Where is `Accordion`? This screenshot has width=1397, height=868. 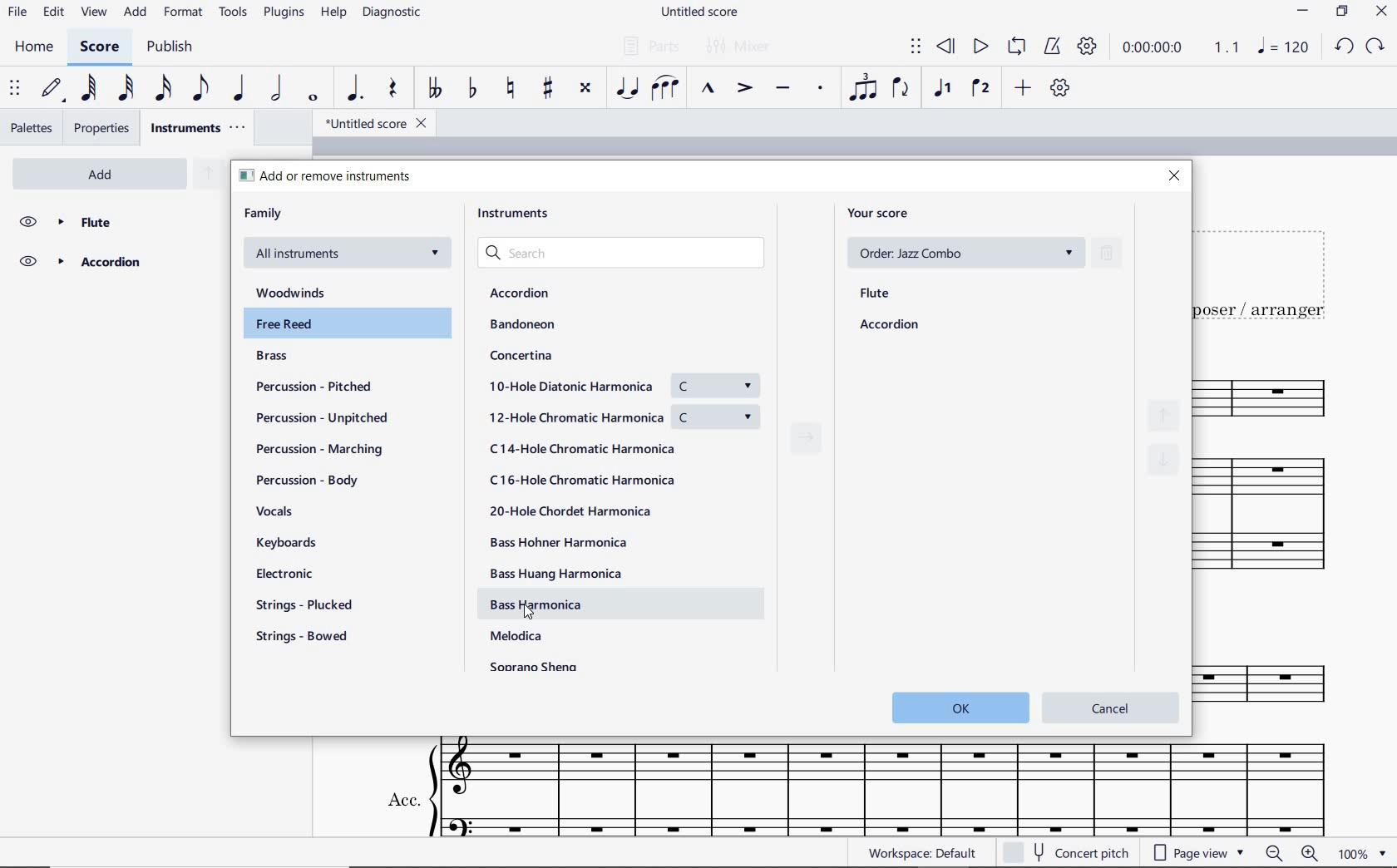
Accordion is located at coordinates (521, 293).